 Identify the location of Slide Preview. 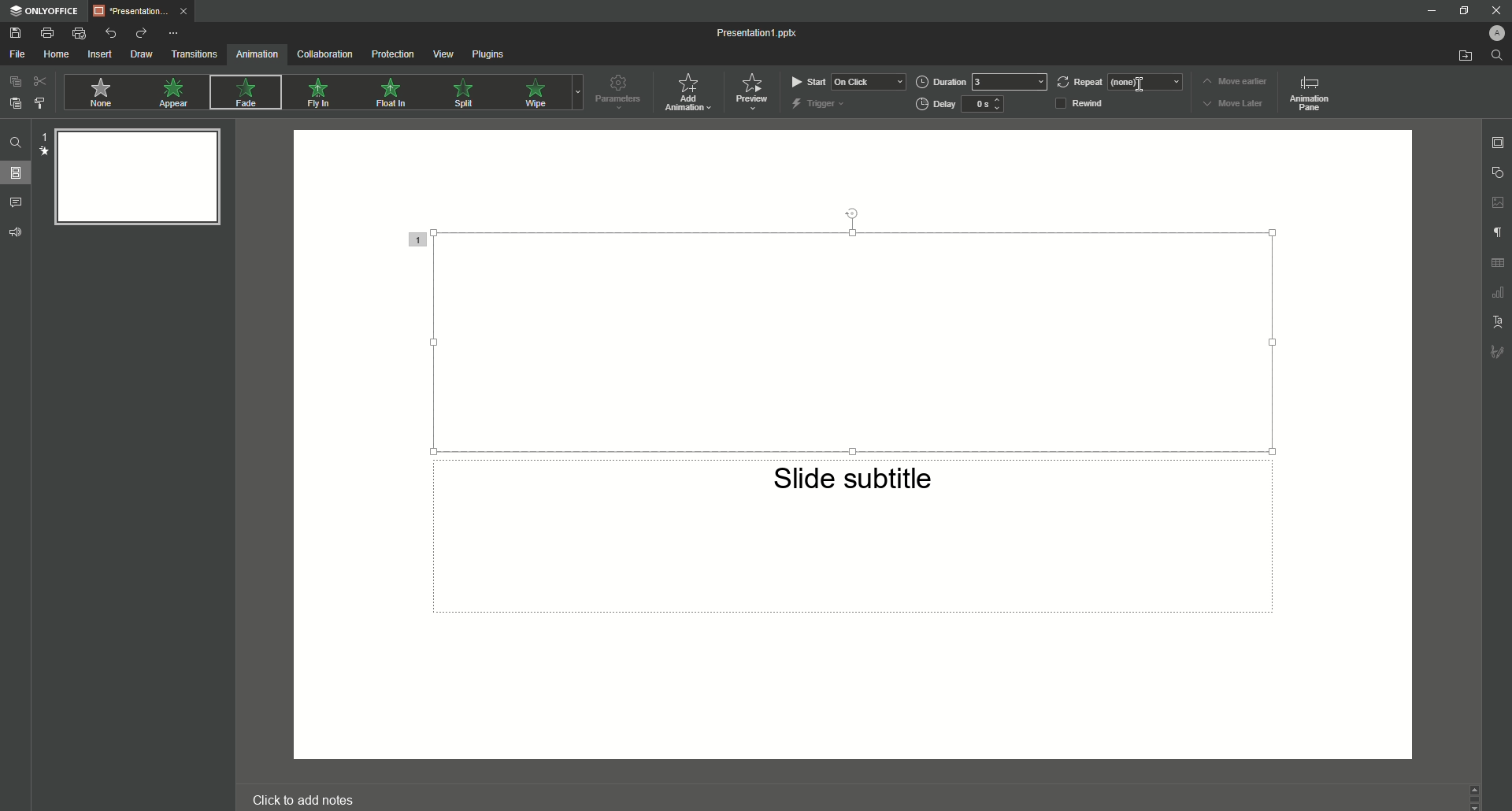
(134, 176).